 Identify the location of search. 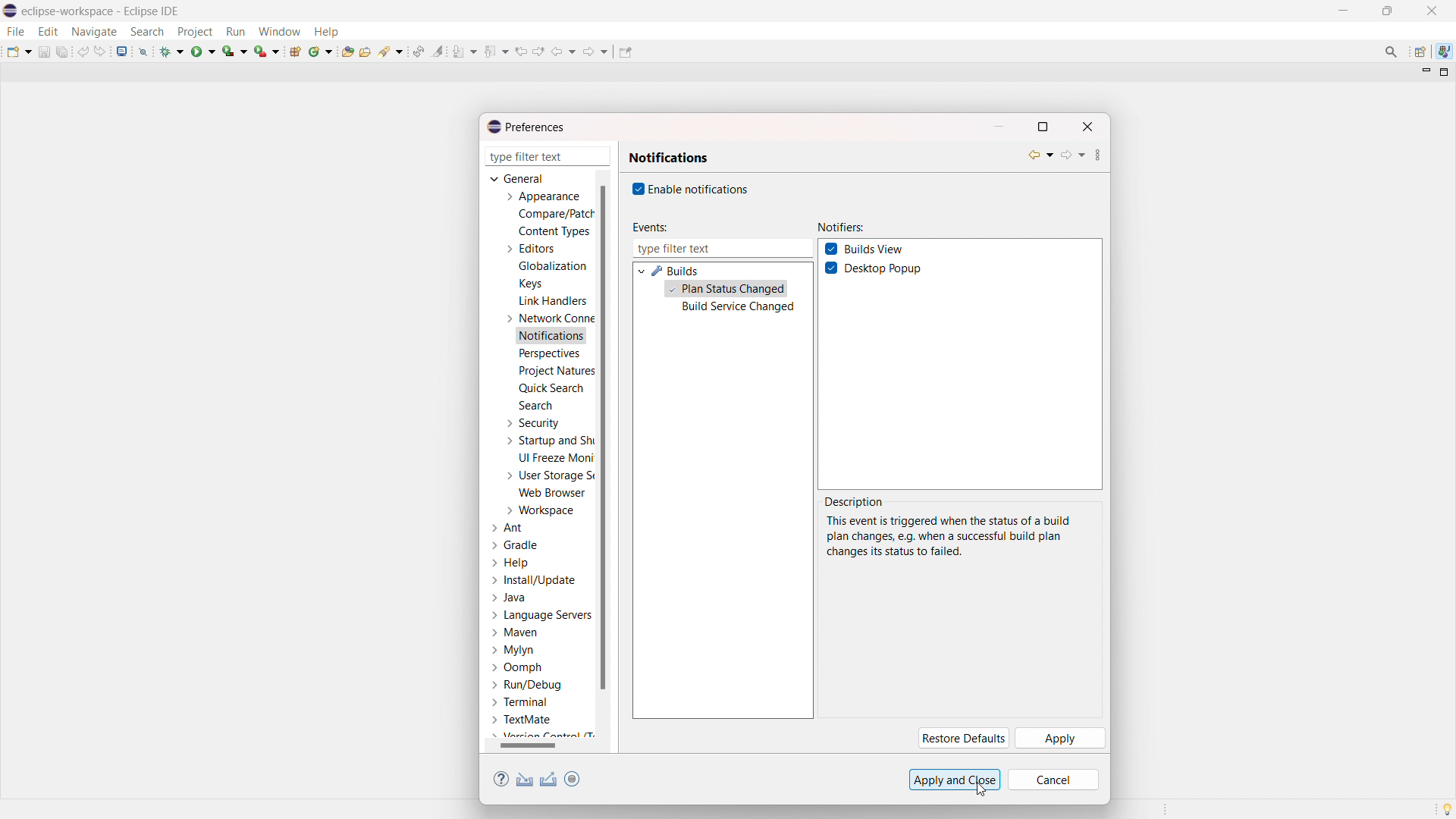
(535, 405).